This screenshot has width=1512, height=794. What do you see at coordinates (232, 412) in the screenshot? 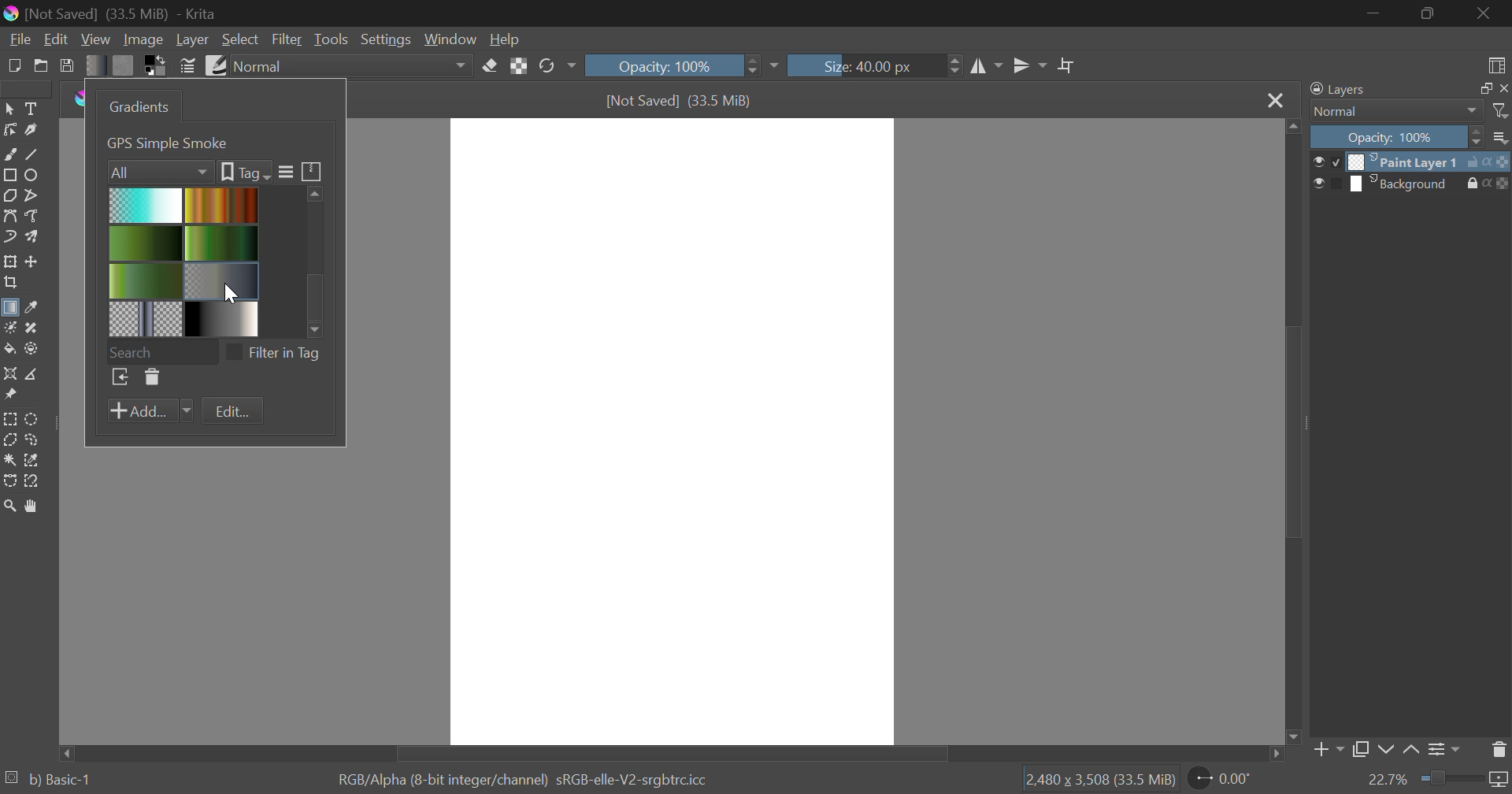
I see `Edit...` at bounding box center [232, 412].